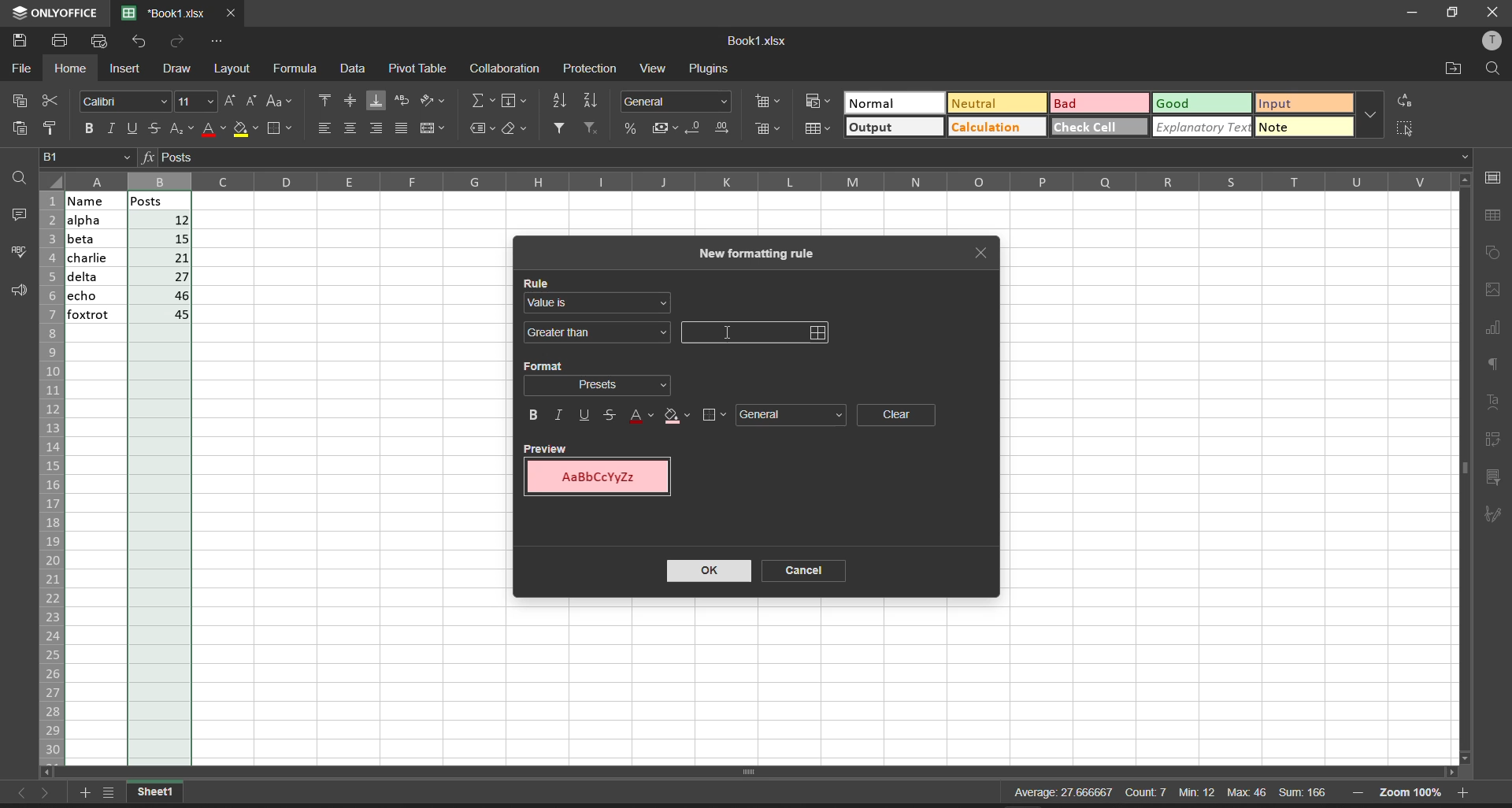  I want to click on borders, so click(711, 413).